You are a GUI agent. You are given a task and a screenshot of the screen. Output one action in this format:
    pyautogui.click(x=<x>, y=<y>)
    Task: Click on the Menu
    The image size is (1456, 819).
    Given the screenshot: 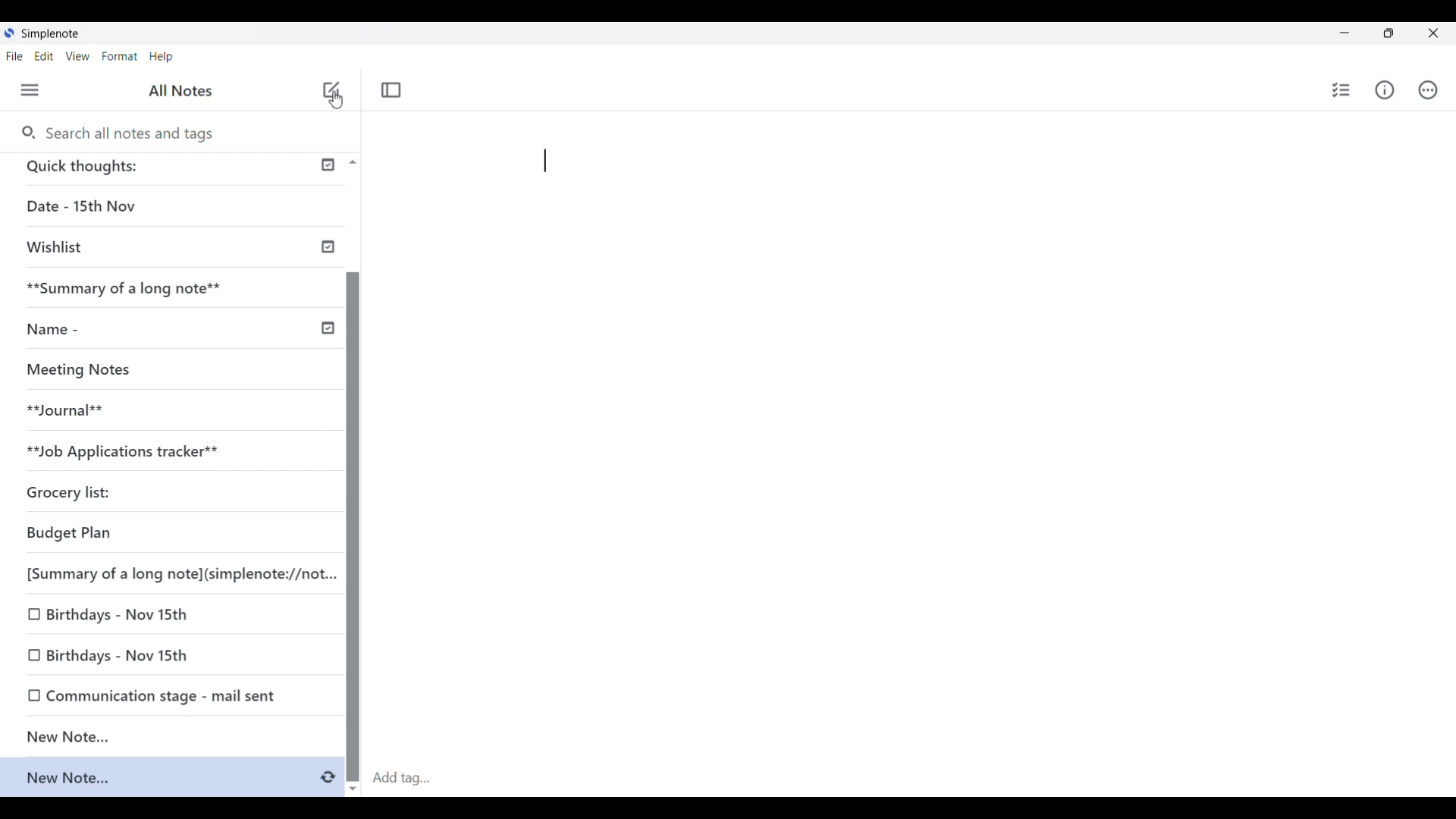 What is the action you would take?
    pyautogui.click(x=30, y=90)
    